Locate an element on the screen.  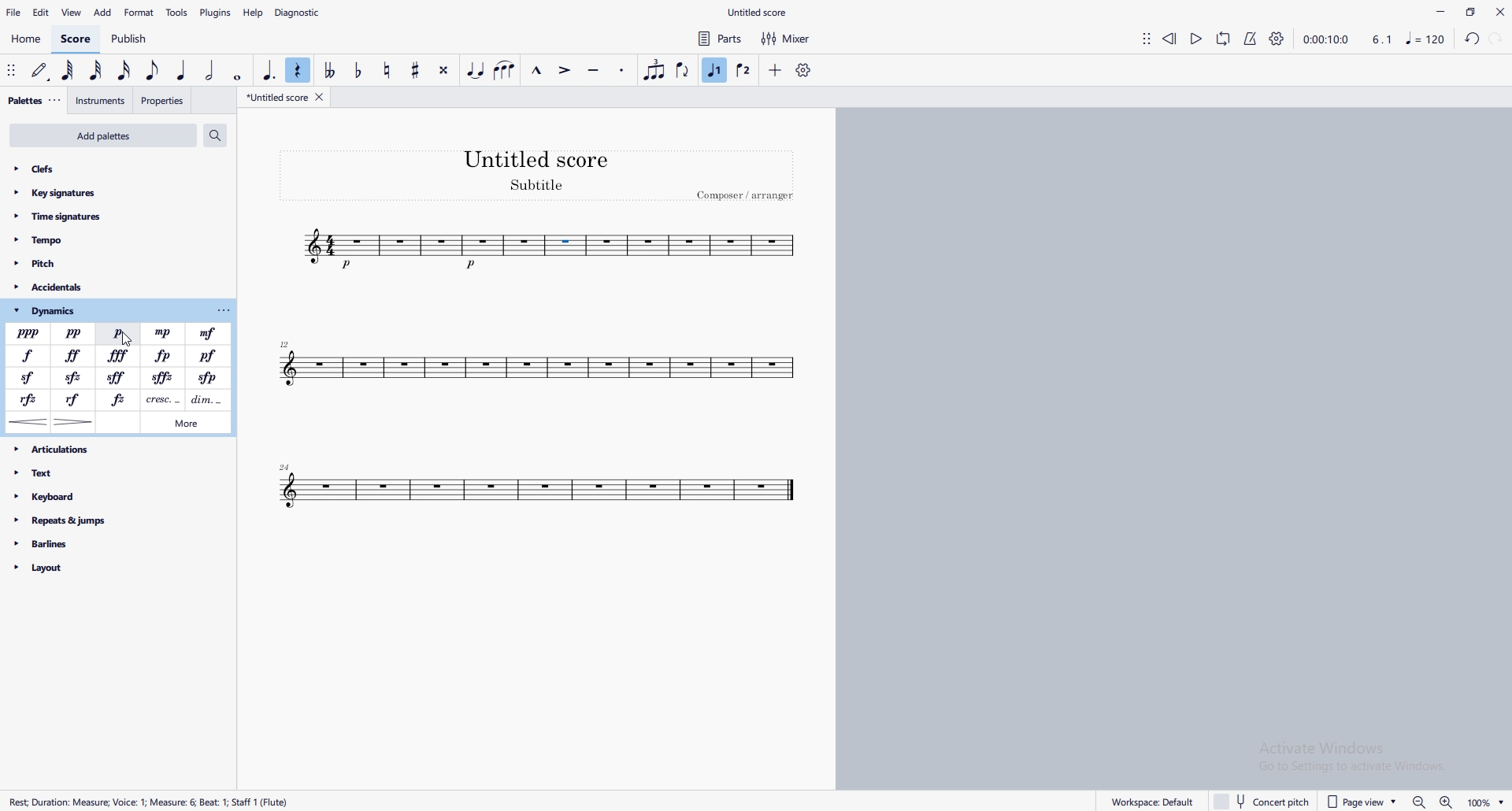
fortessimo is located at coordinates (74, 356).